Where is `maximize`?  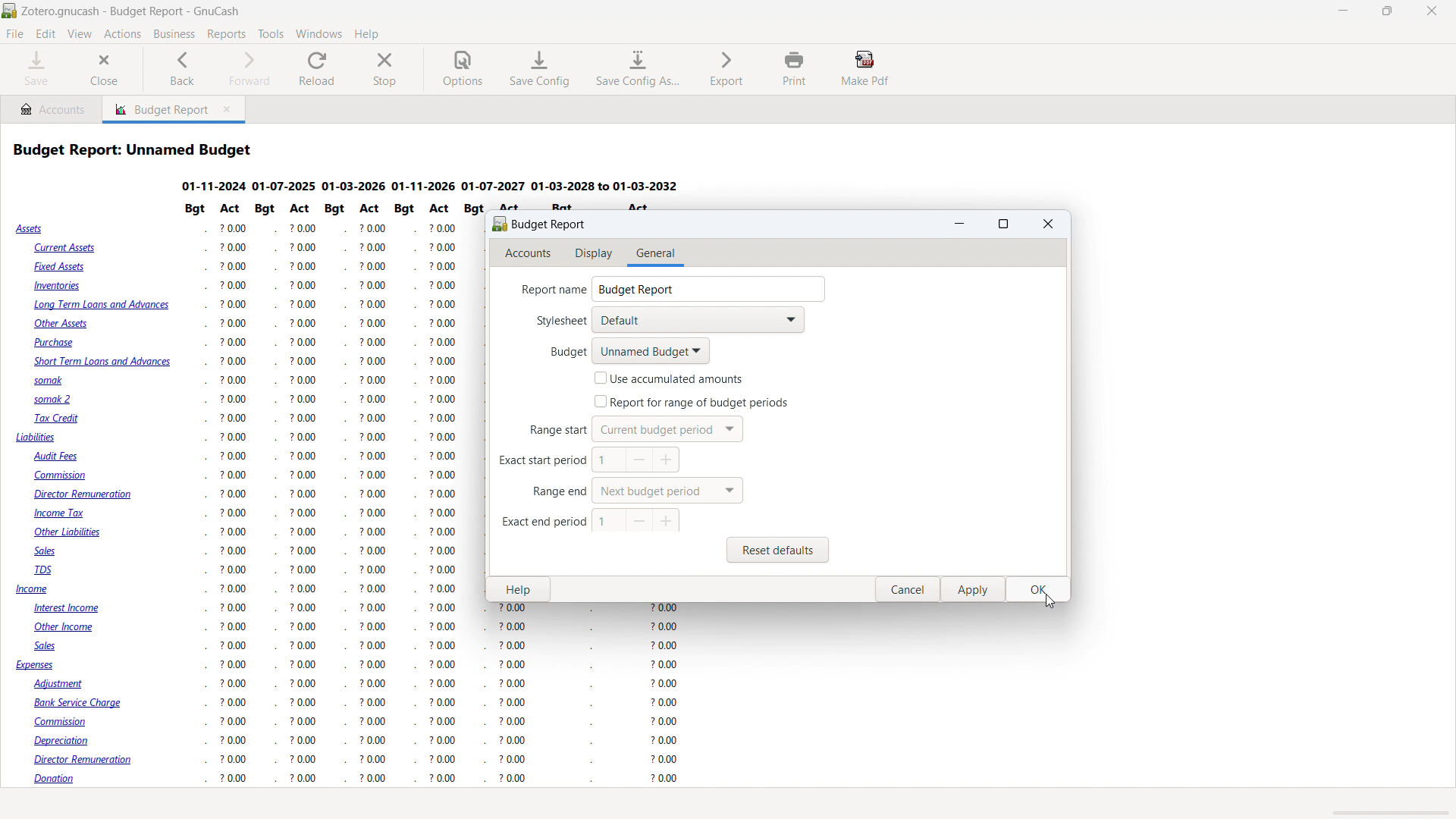 maximize is located at coordinates (1005, 224).